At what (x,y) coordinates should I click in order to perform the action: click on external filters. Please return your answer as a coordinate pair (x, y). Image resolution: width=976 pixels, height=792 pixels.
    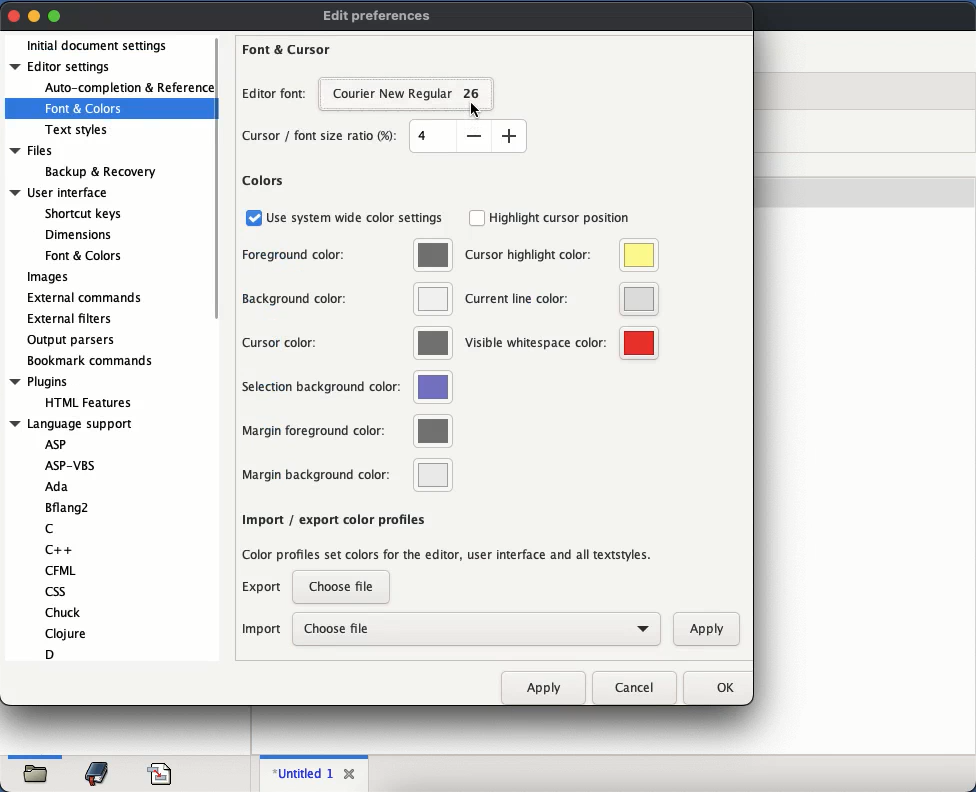
    Looking at the image, I should click on (72, 320).